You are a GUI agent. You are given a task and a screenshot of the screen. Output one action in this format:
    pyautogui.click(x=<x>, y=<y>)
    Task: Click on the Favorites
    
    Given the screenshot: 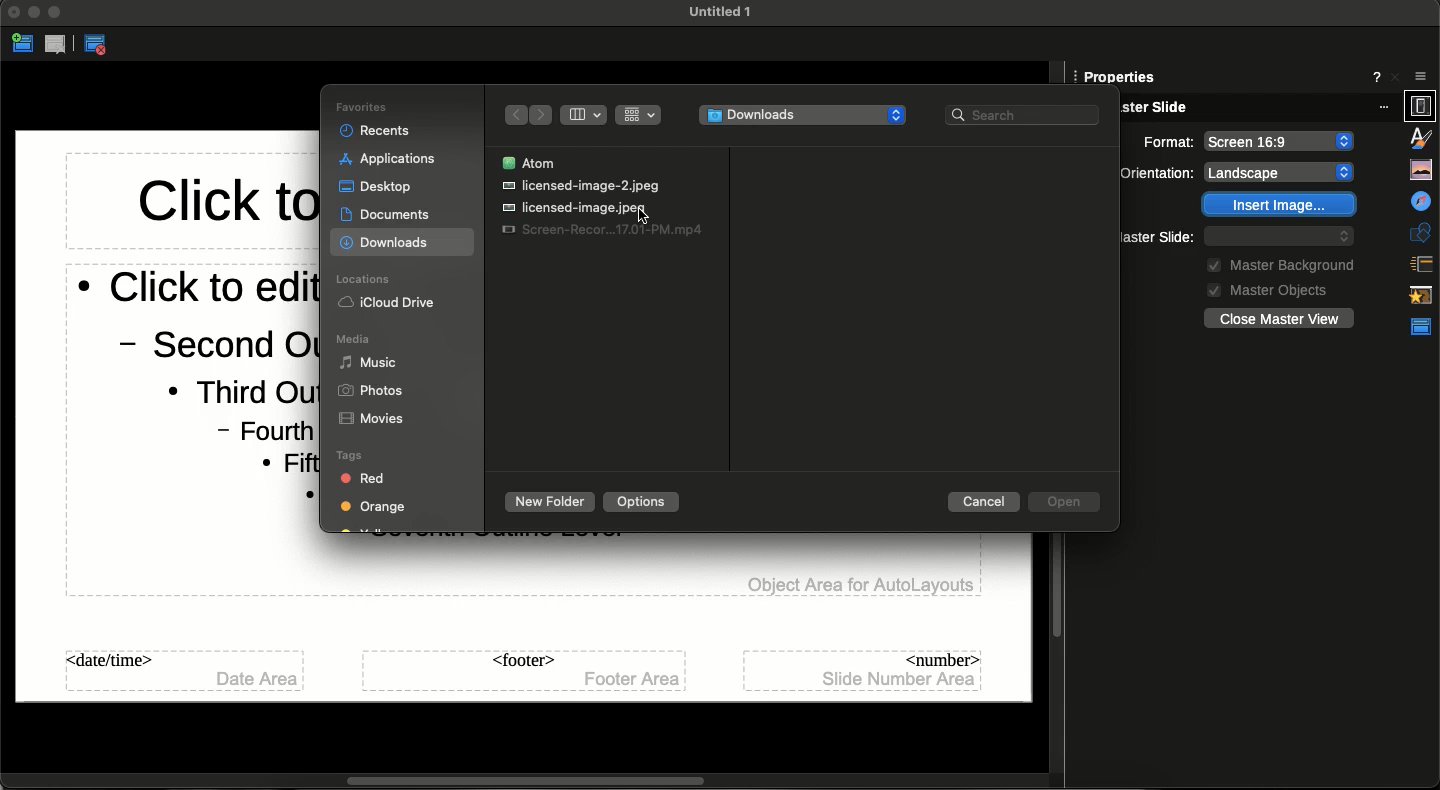 What is the action you would take?
    pyautogui.click(x=358, y=106)
    